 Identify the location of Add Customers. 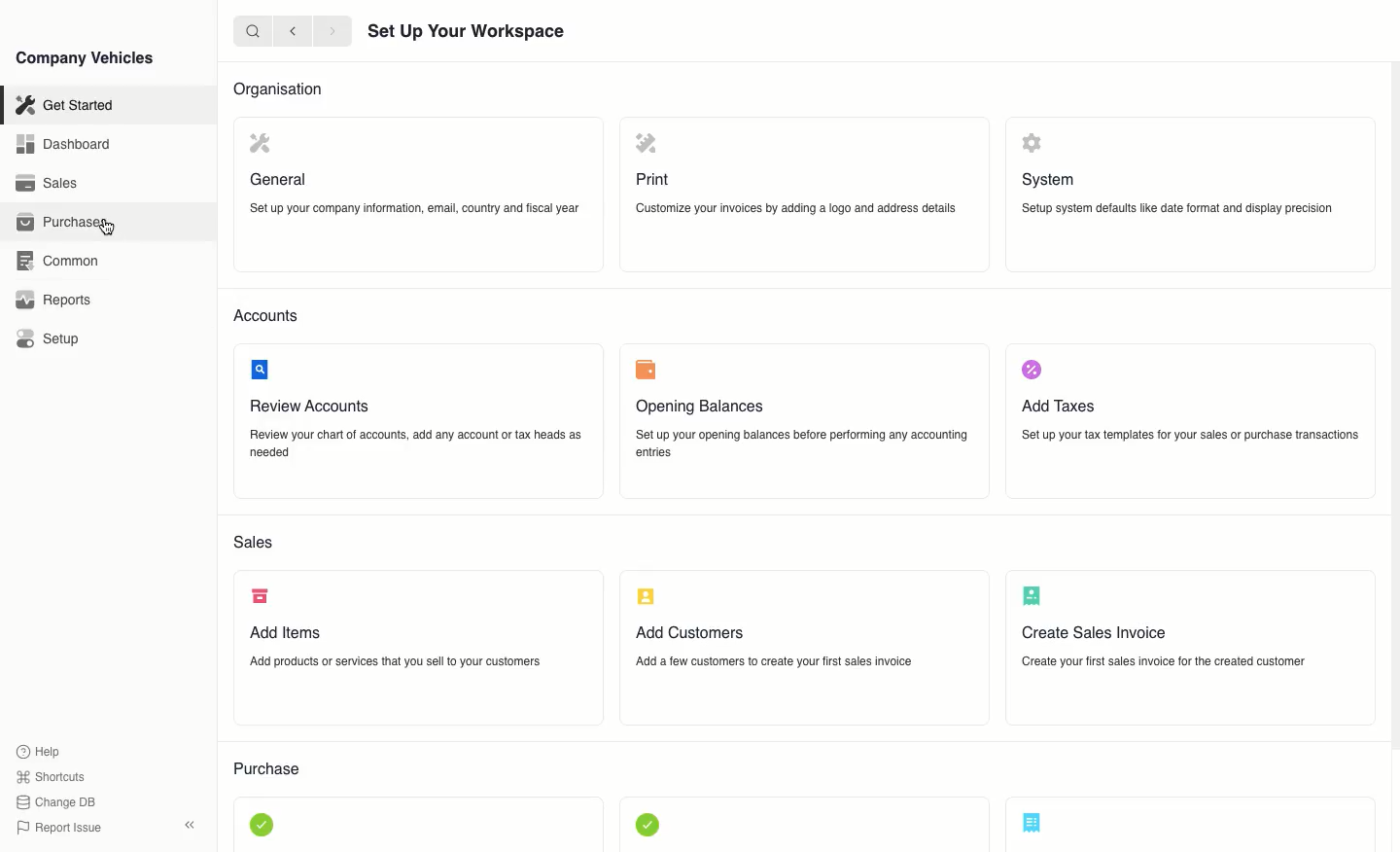
(690, 632).